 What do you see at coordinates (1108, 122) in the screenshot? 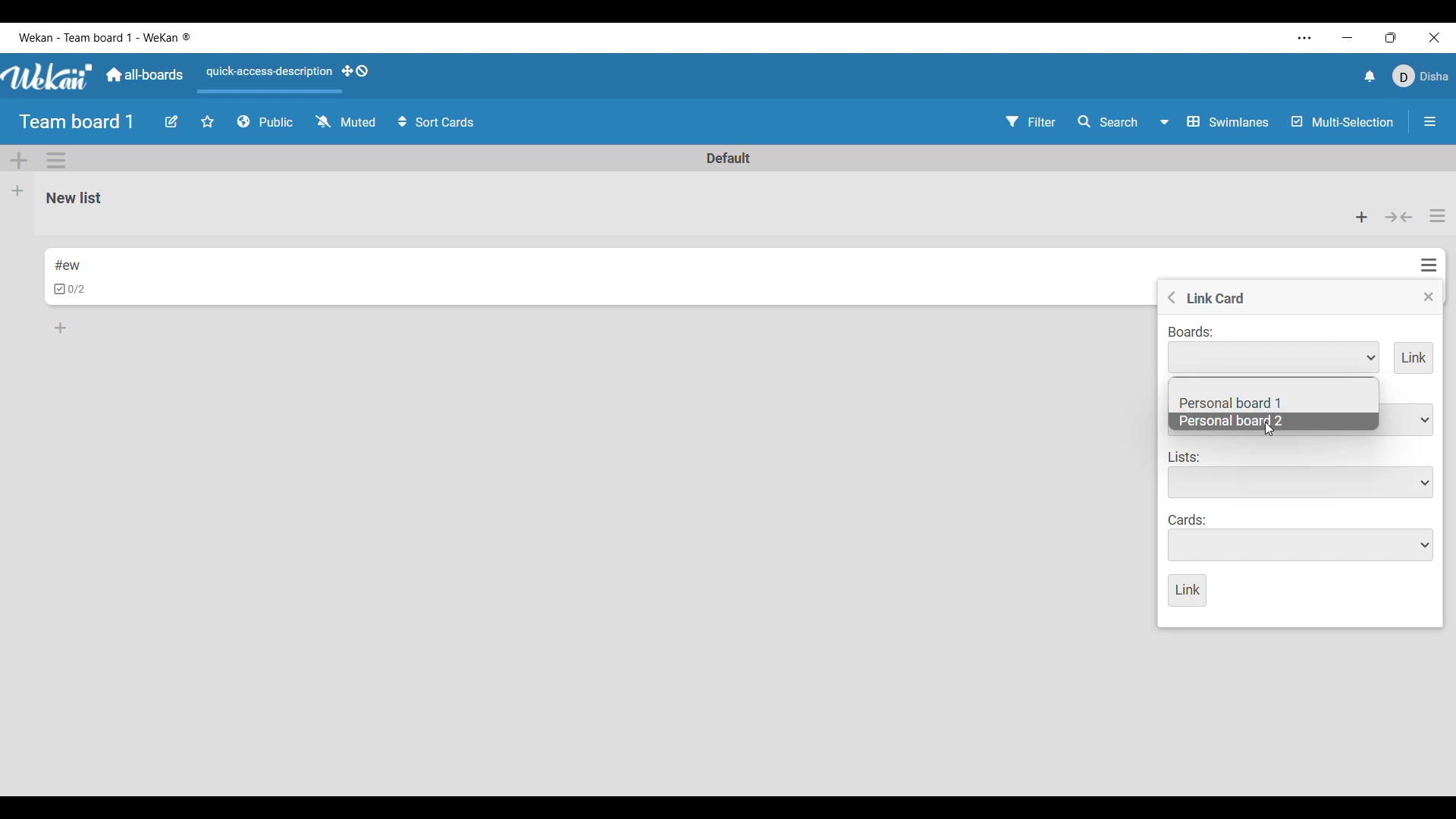
I see `Search` at bounding box center [1108, 122].